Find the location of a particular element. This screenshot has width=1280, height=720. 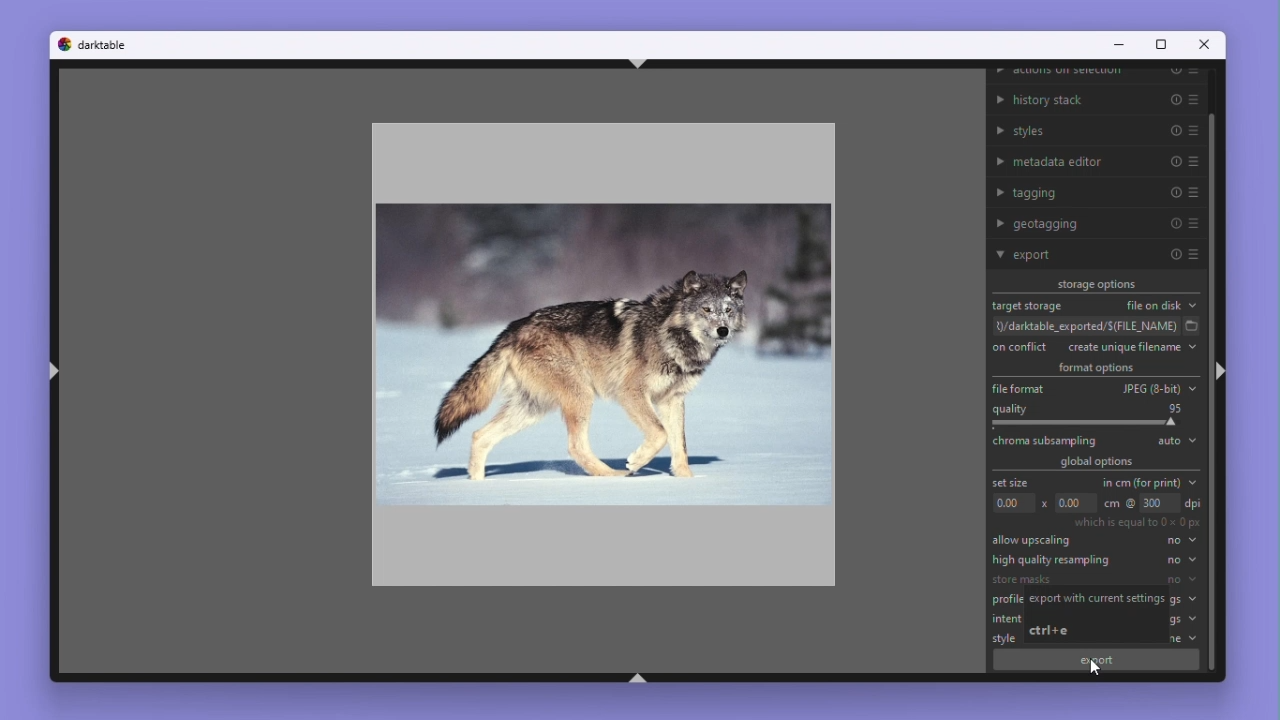

Minimise is located at coordinates (1118, 45).